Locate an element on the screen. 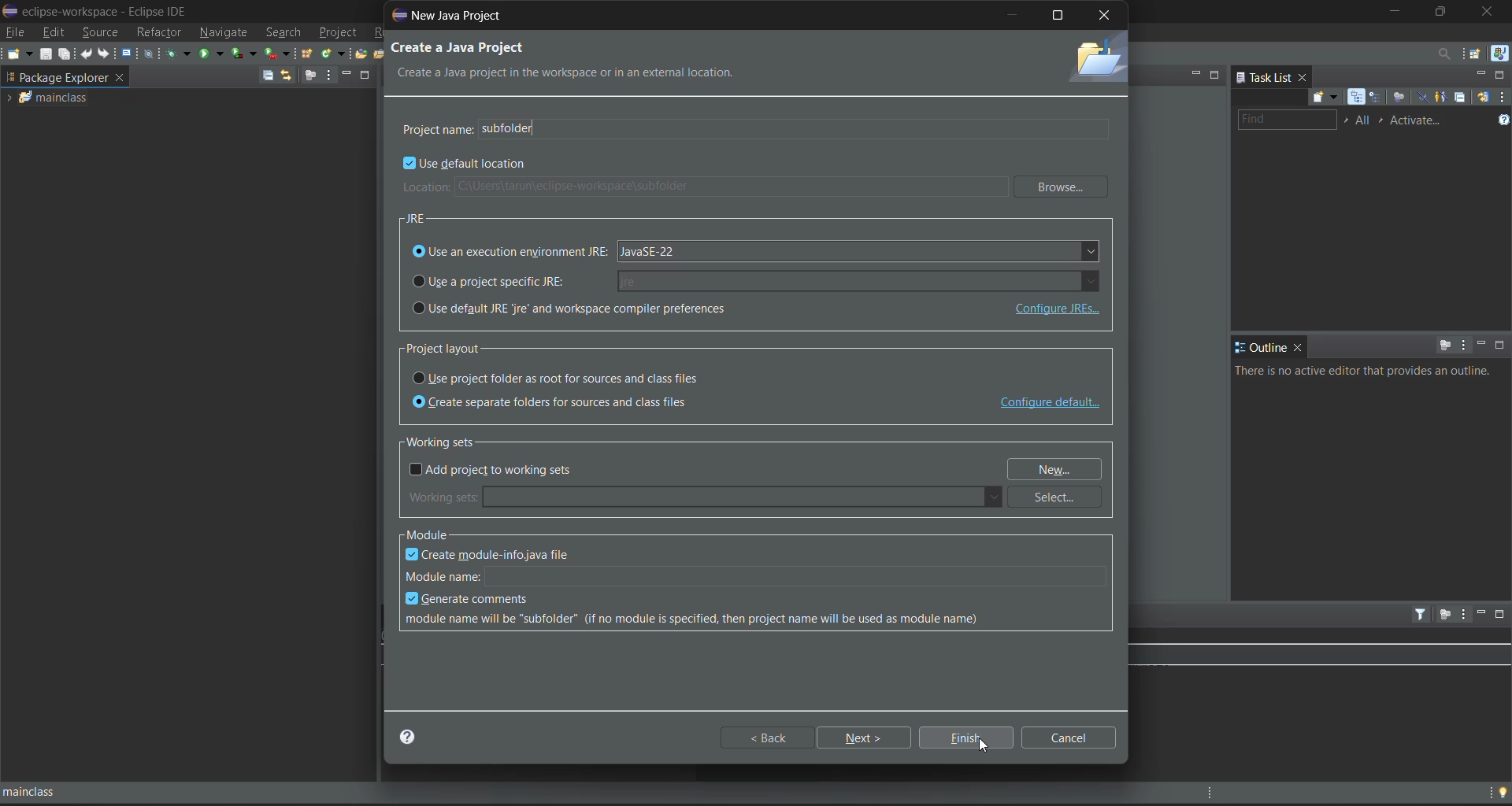  categorized is located at coordinates (1358, 97).